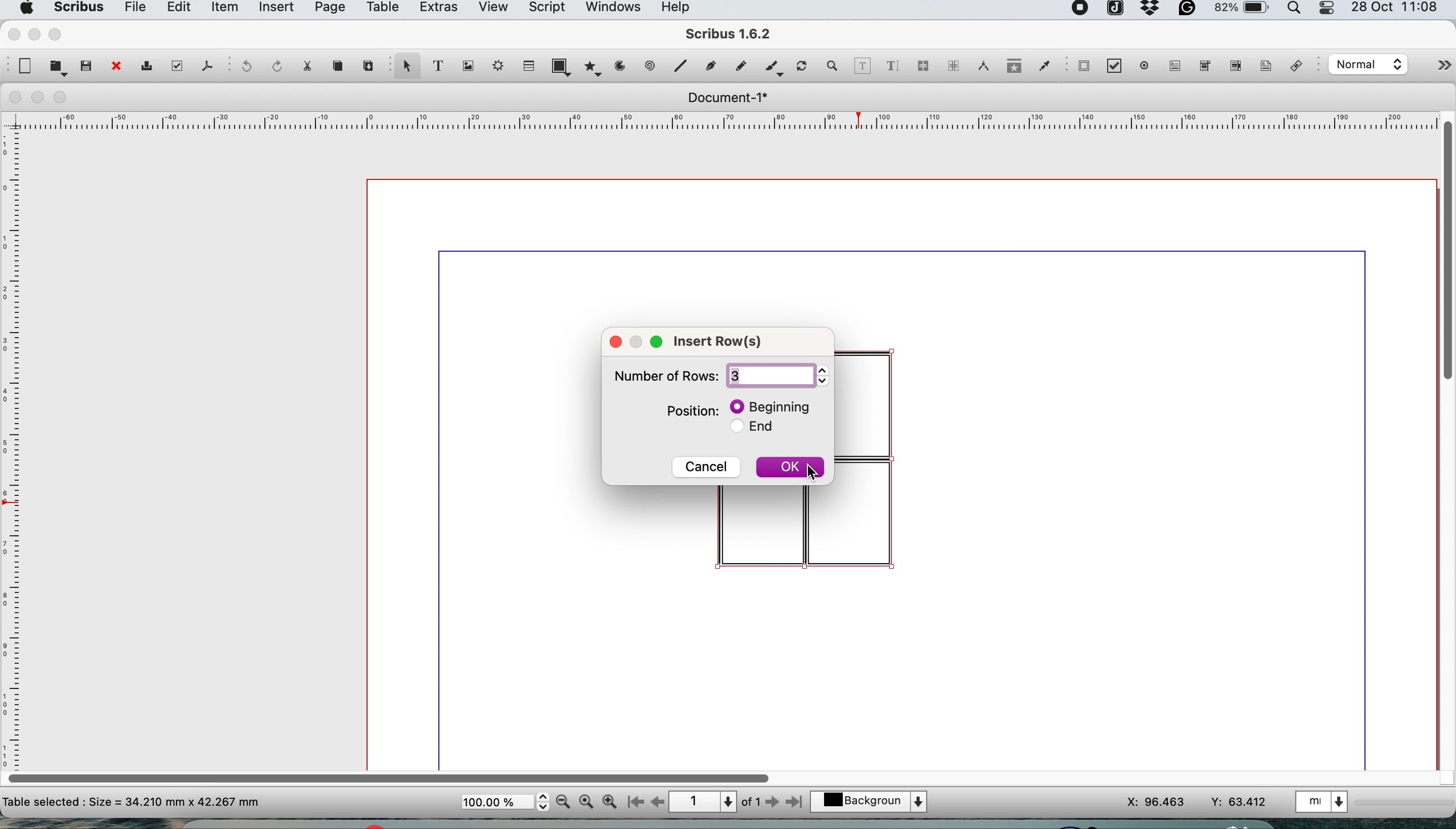 The width and height of the screenshot is (1456, 829). What do you see at coordinates (875, 803) in the screenshot?
I see `select the current layer` at bounding box center [875, 803].